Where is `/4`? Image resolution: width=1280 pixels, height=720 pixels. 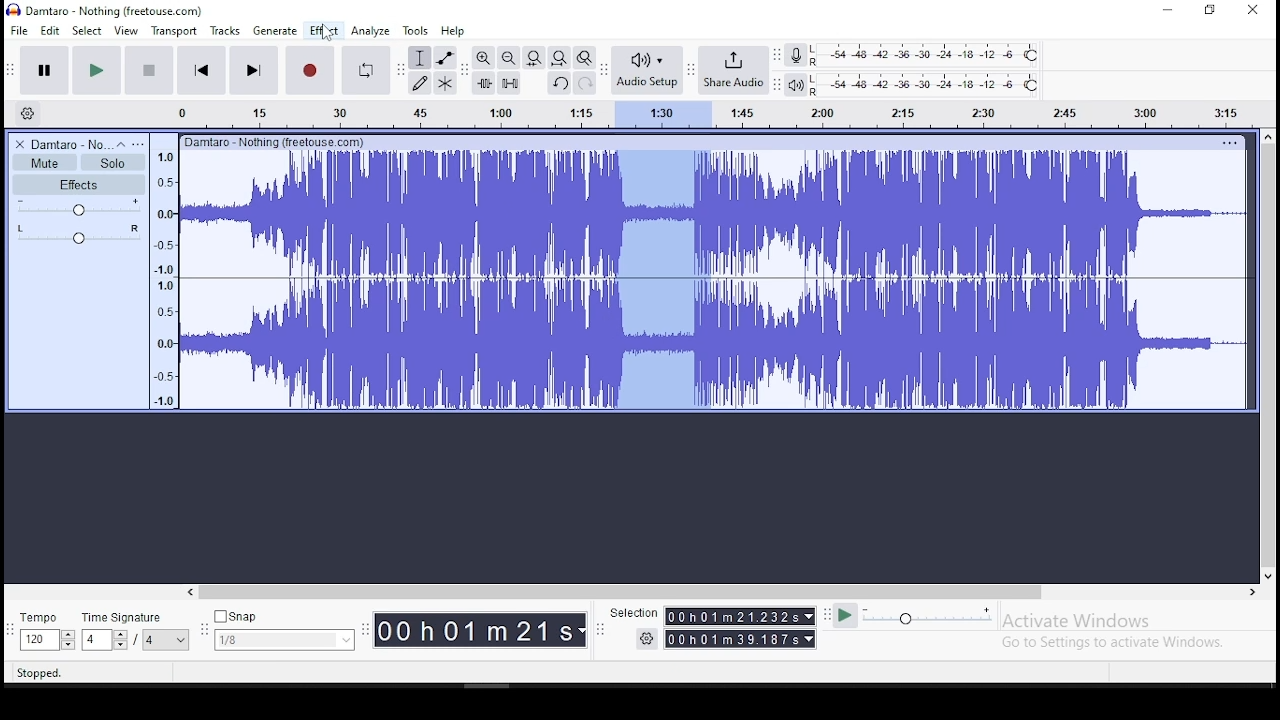 /4 is located at coordinates (150, 639).